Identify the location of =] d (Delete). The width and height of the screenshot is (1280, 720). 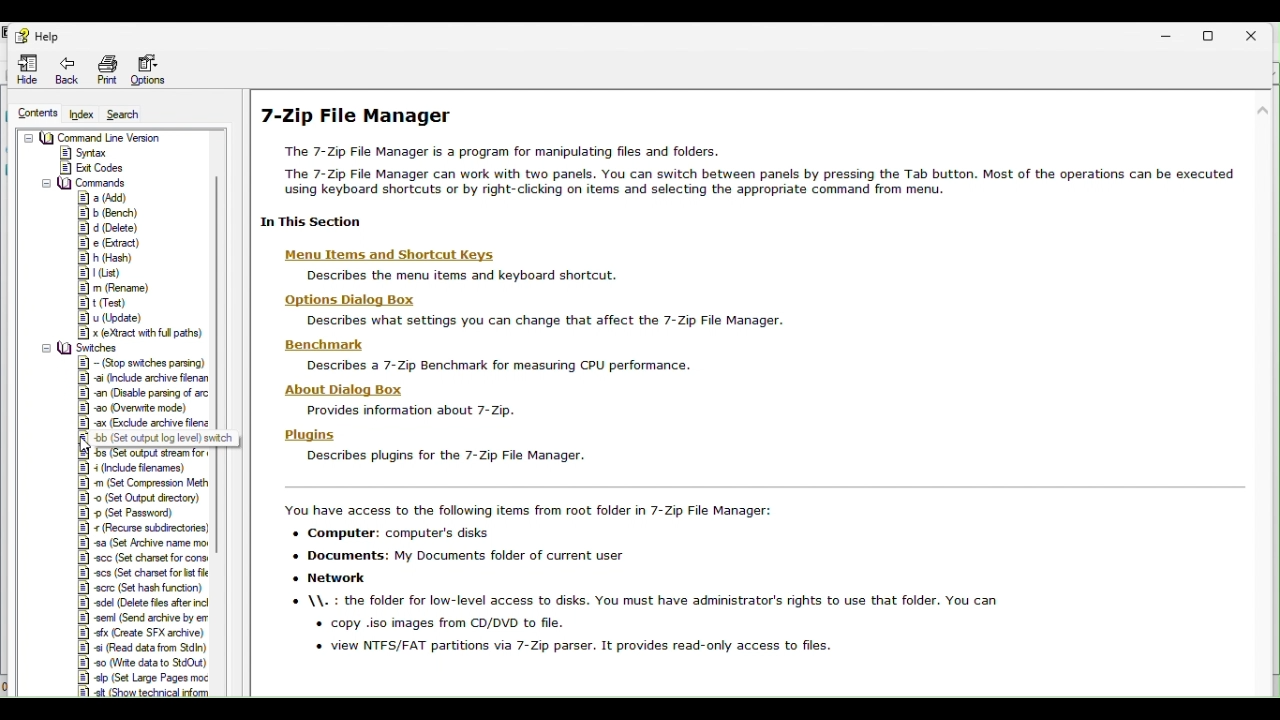
(108, 228).